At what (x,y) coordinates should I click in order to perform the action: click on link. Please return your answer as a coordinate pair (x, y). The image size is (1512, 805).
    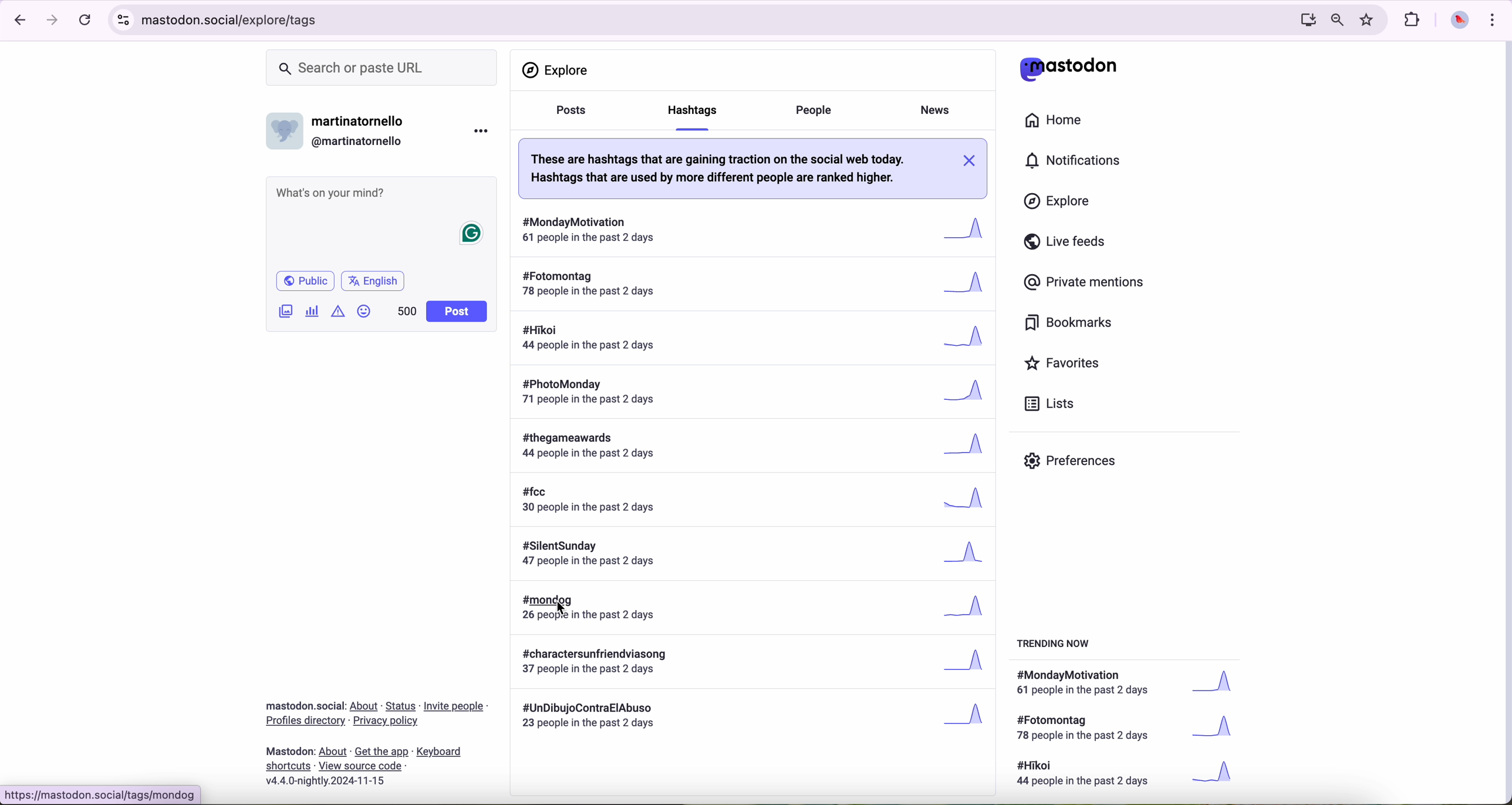
    Looking at the image, I should click on (360, 765).